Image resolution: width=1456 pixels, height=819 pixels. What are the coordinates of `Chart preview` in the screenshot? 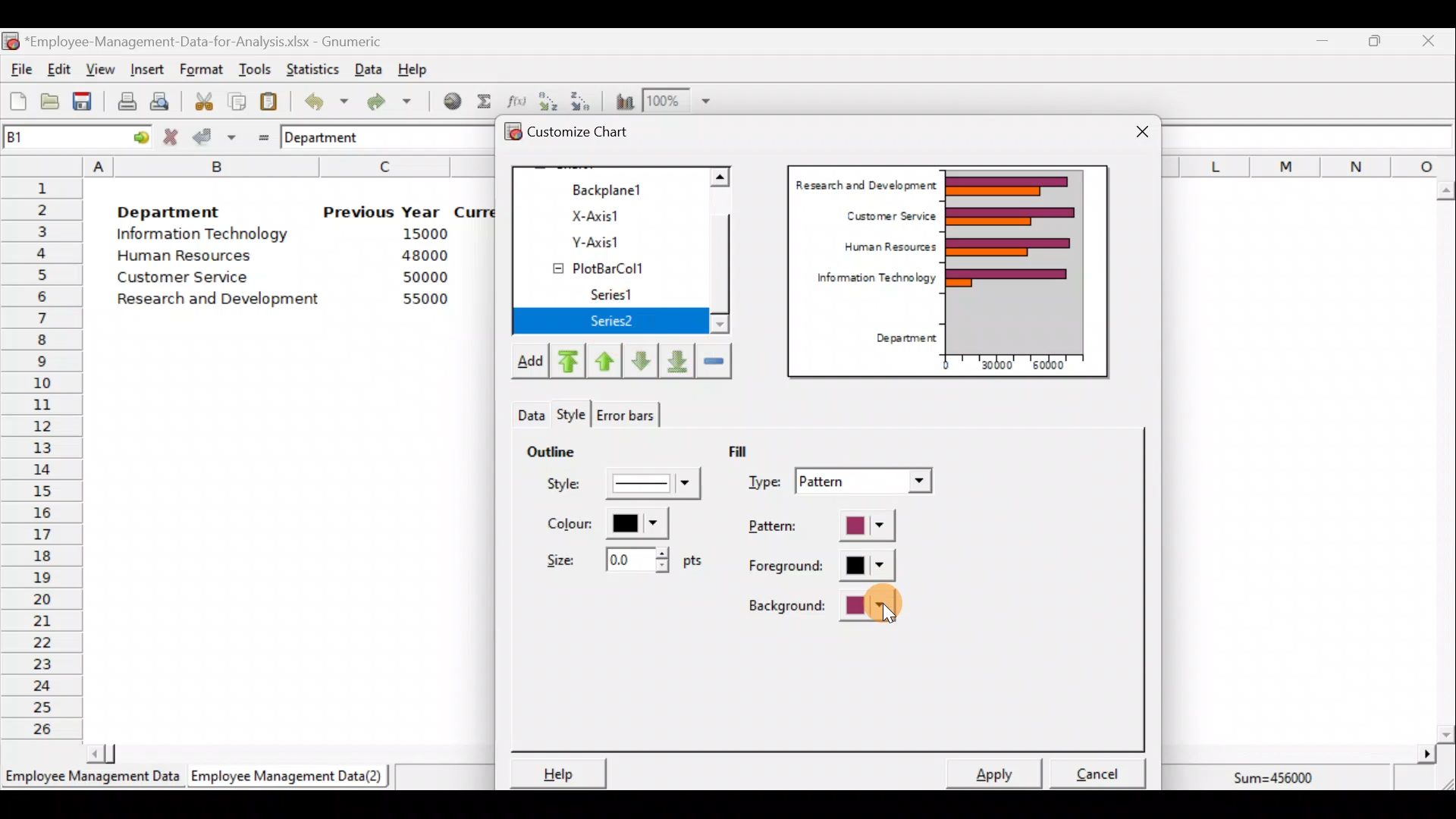 It's located at (1025, 261).